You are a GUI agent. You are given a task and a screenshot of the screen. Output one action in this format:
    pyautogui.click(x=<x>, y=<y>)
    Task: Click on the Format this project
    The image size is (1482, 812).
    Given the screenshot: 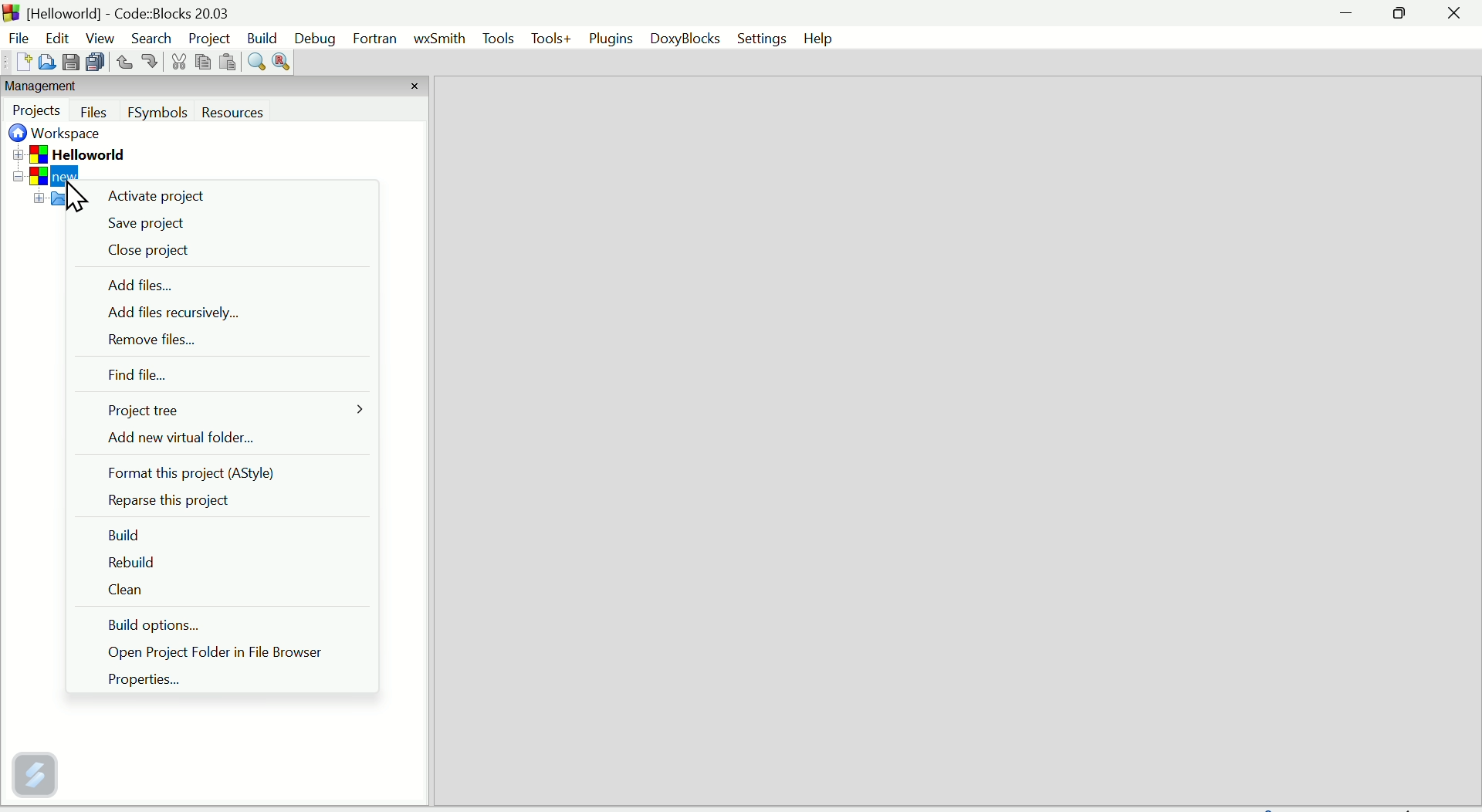 What is the action you would take?
    pyautogui.click(x=205, y=475)
    